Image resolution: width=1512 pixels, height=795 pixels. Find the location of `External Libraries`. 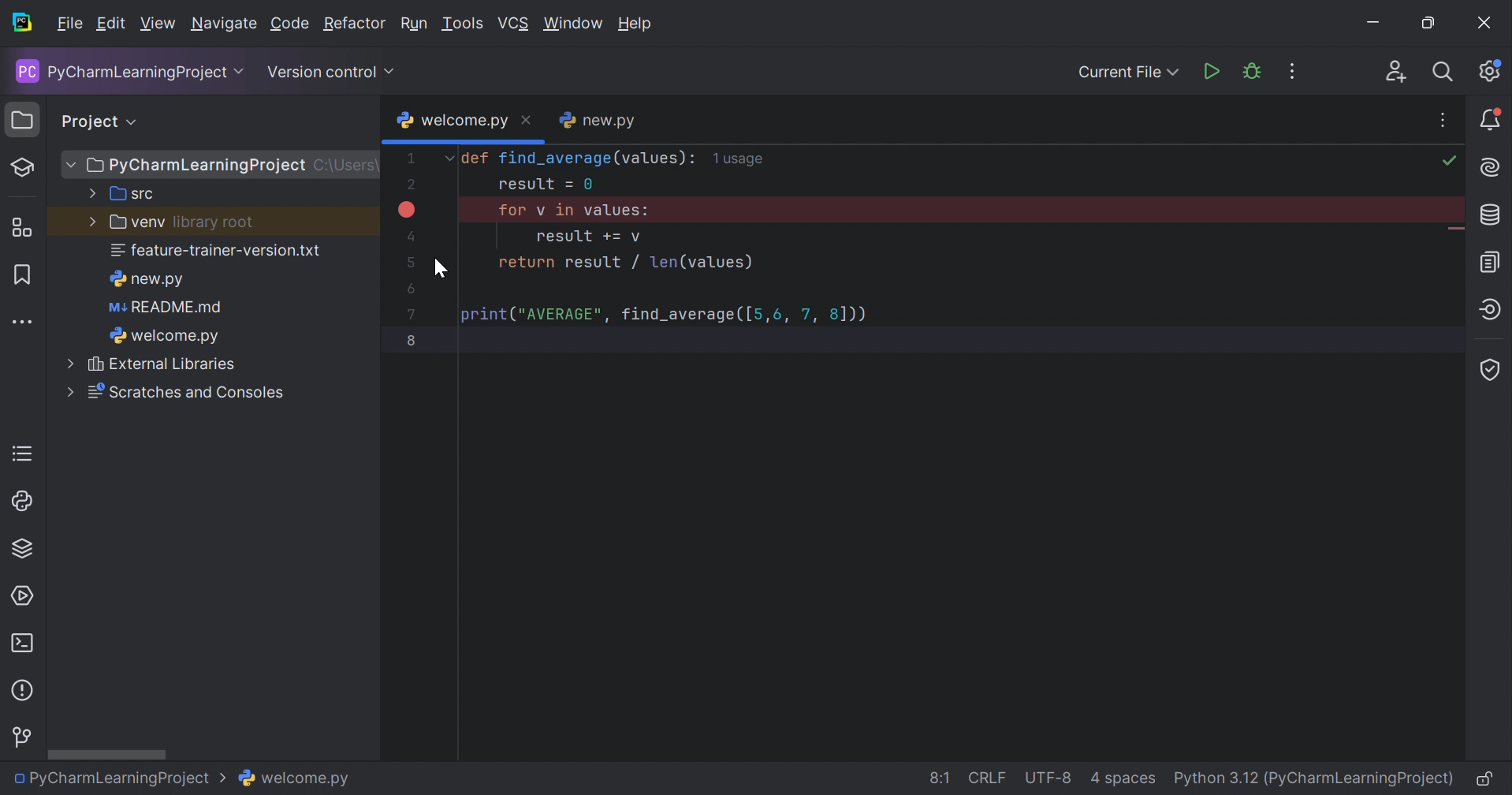

External Libraries is located at coordinates (157, 366).